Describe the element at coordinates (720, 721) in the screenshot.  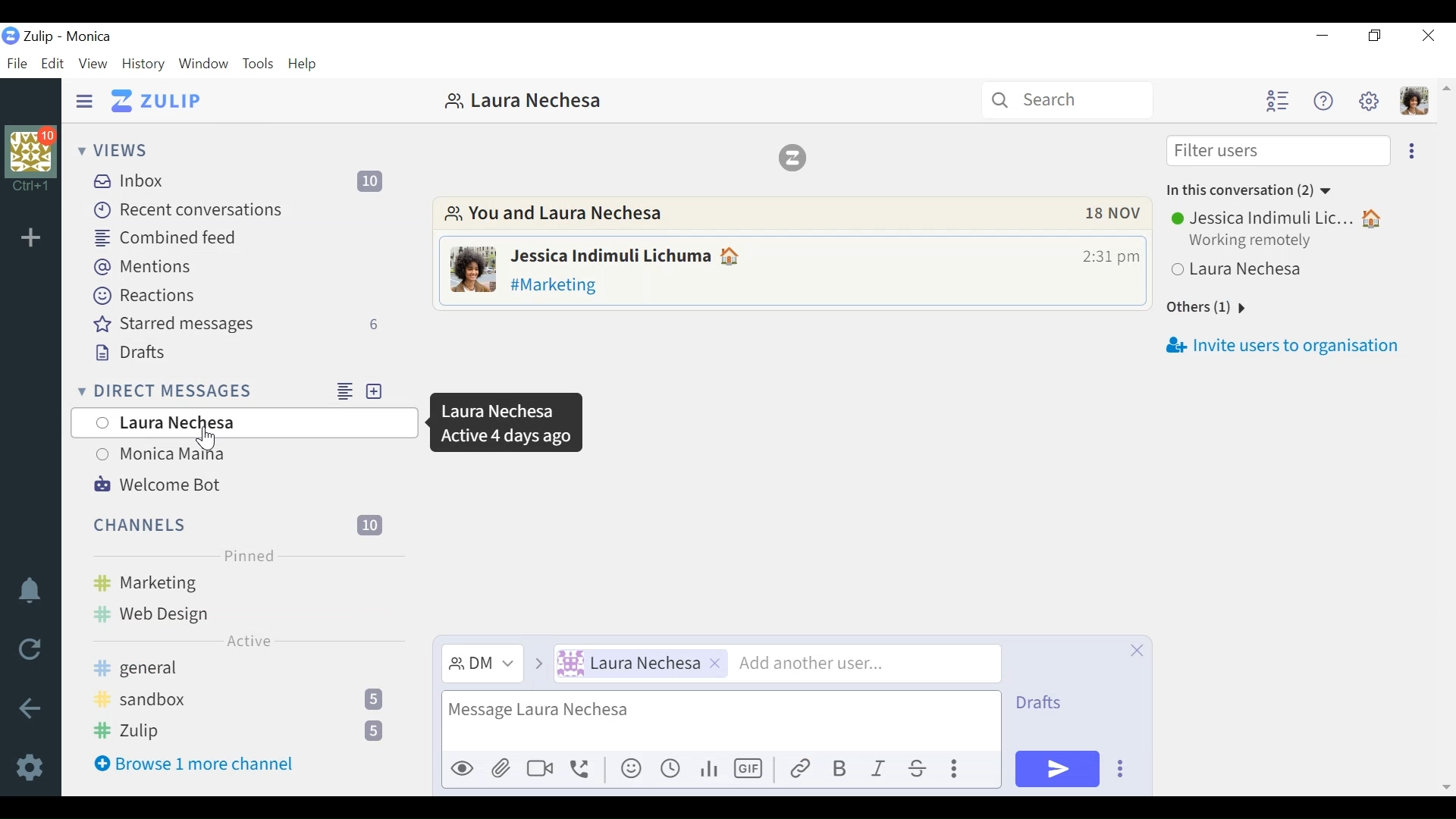
I see `compose message` at that location.